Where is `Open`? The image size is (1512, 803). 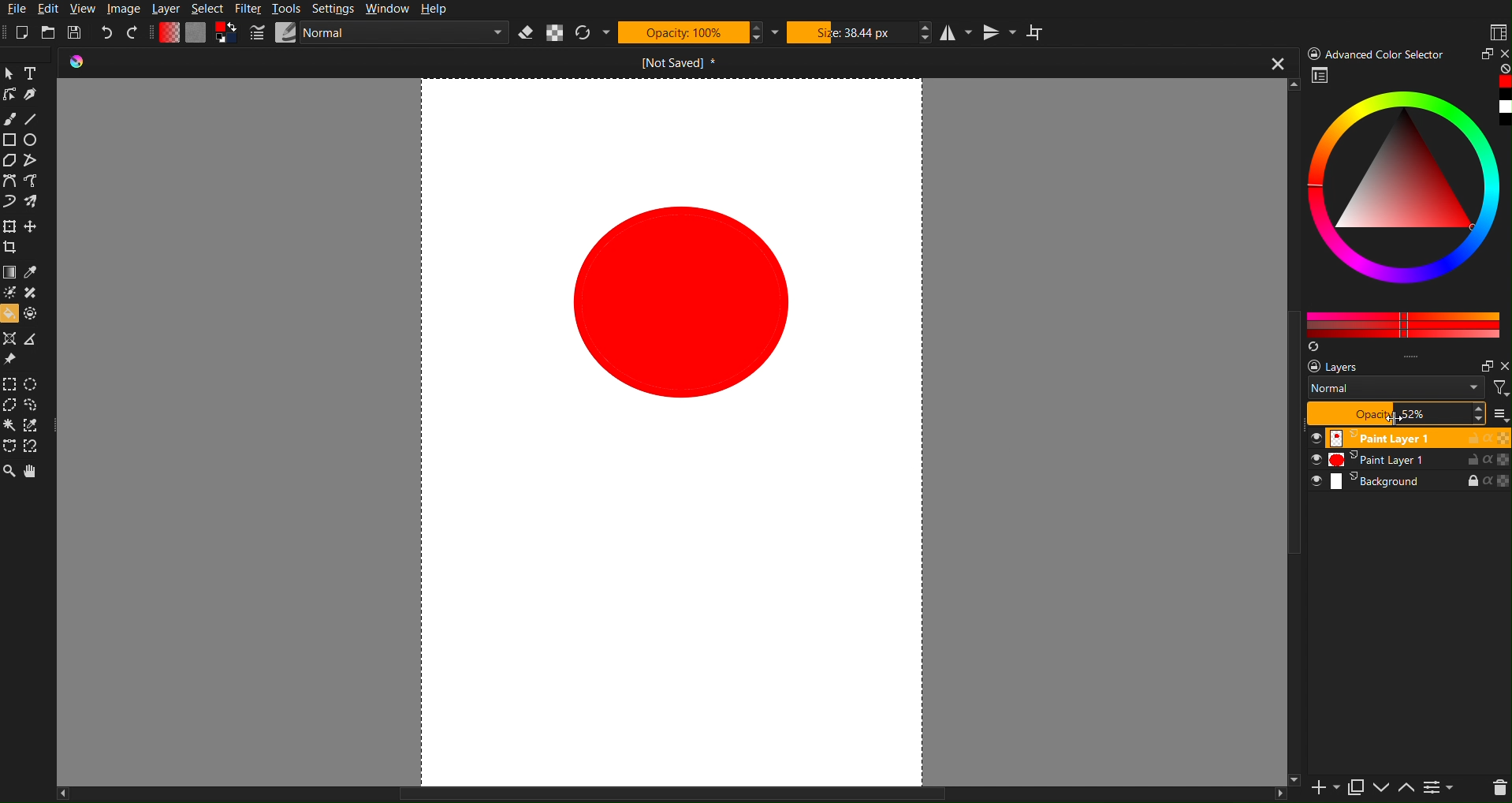 Open is located at coordinates (48, 34).